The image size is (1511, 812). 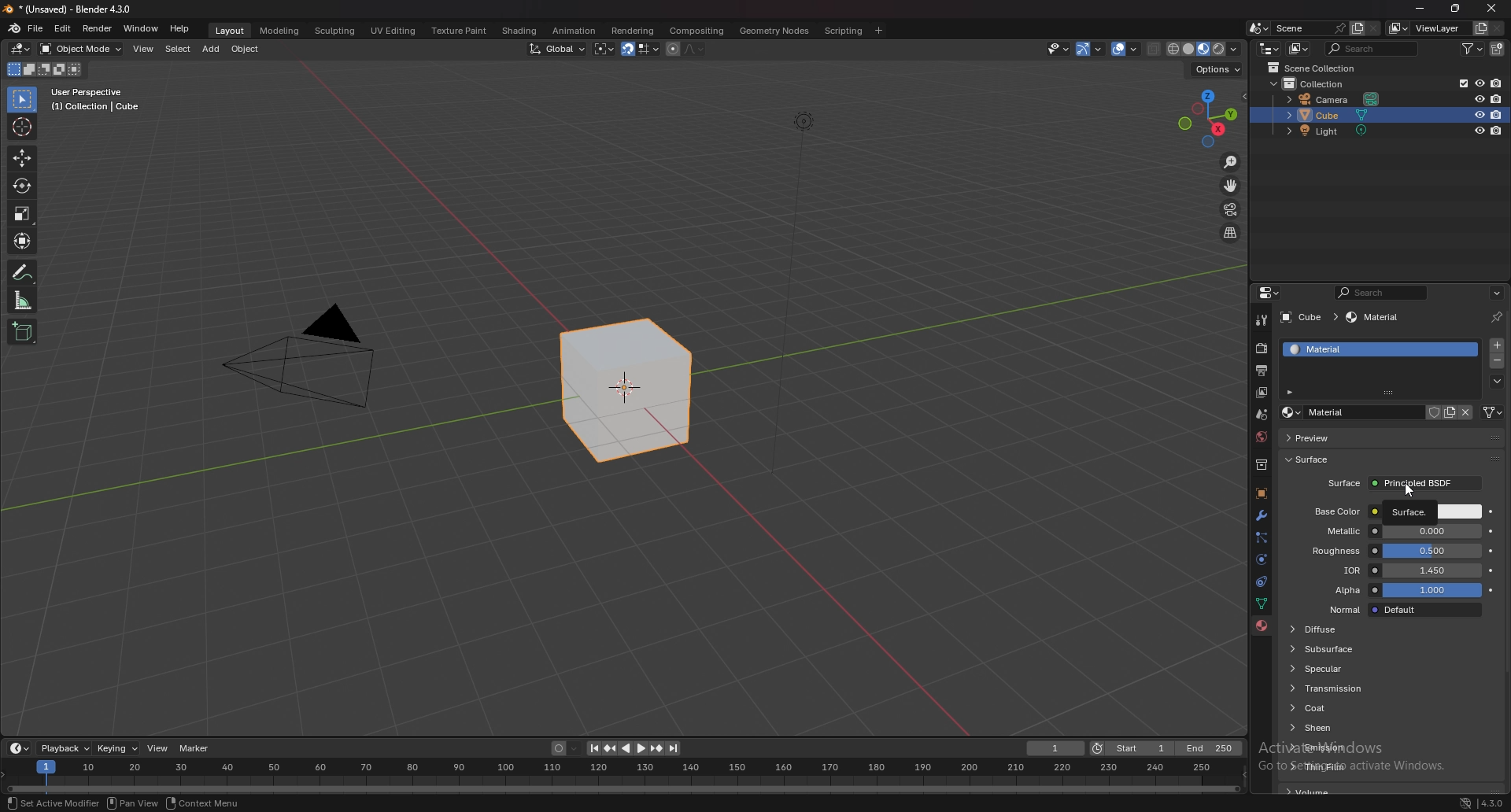 I want to click on disable in renders, so click(x=1497, y=83).